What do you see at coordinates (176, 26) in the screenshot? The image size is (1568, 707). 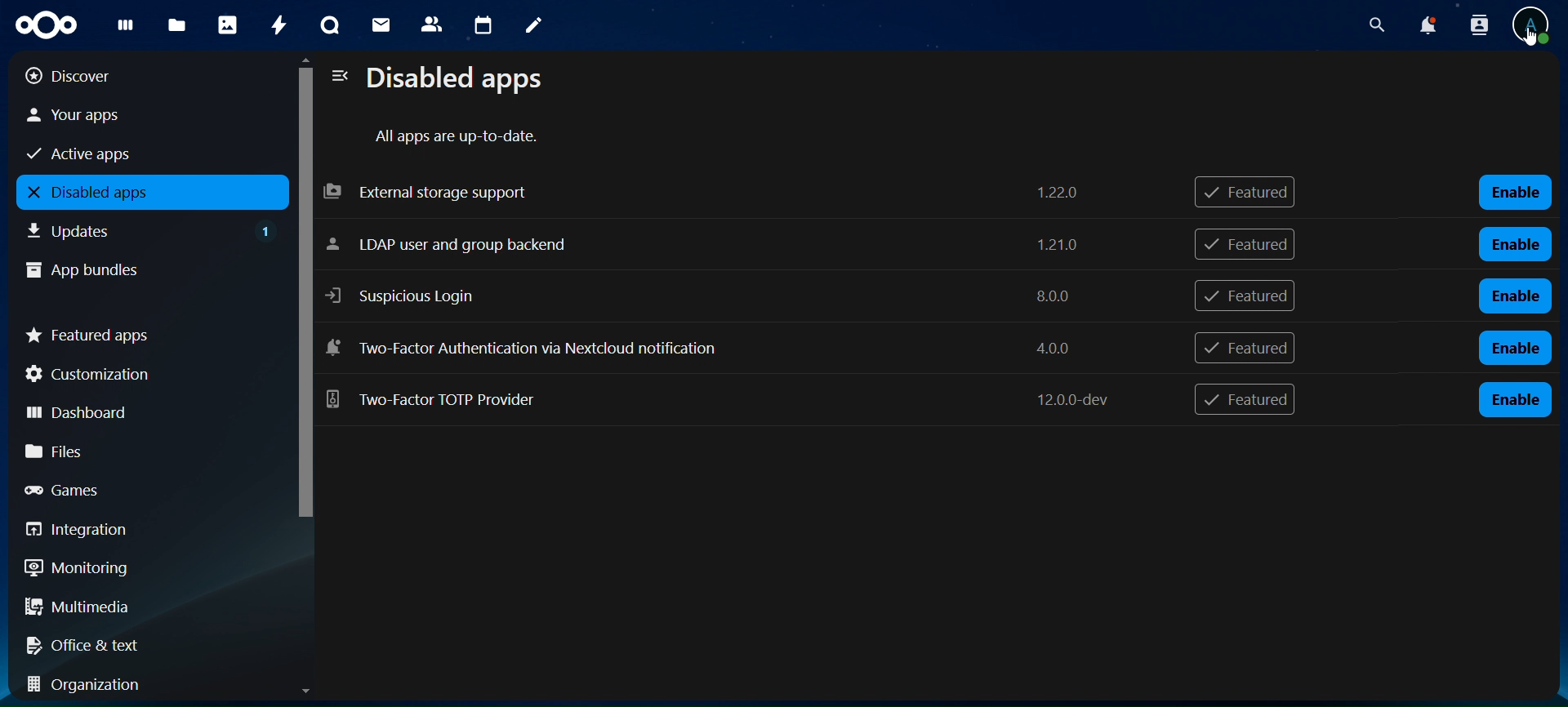 I see `files` at bounding box center [176, 26].